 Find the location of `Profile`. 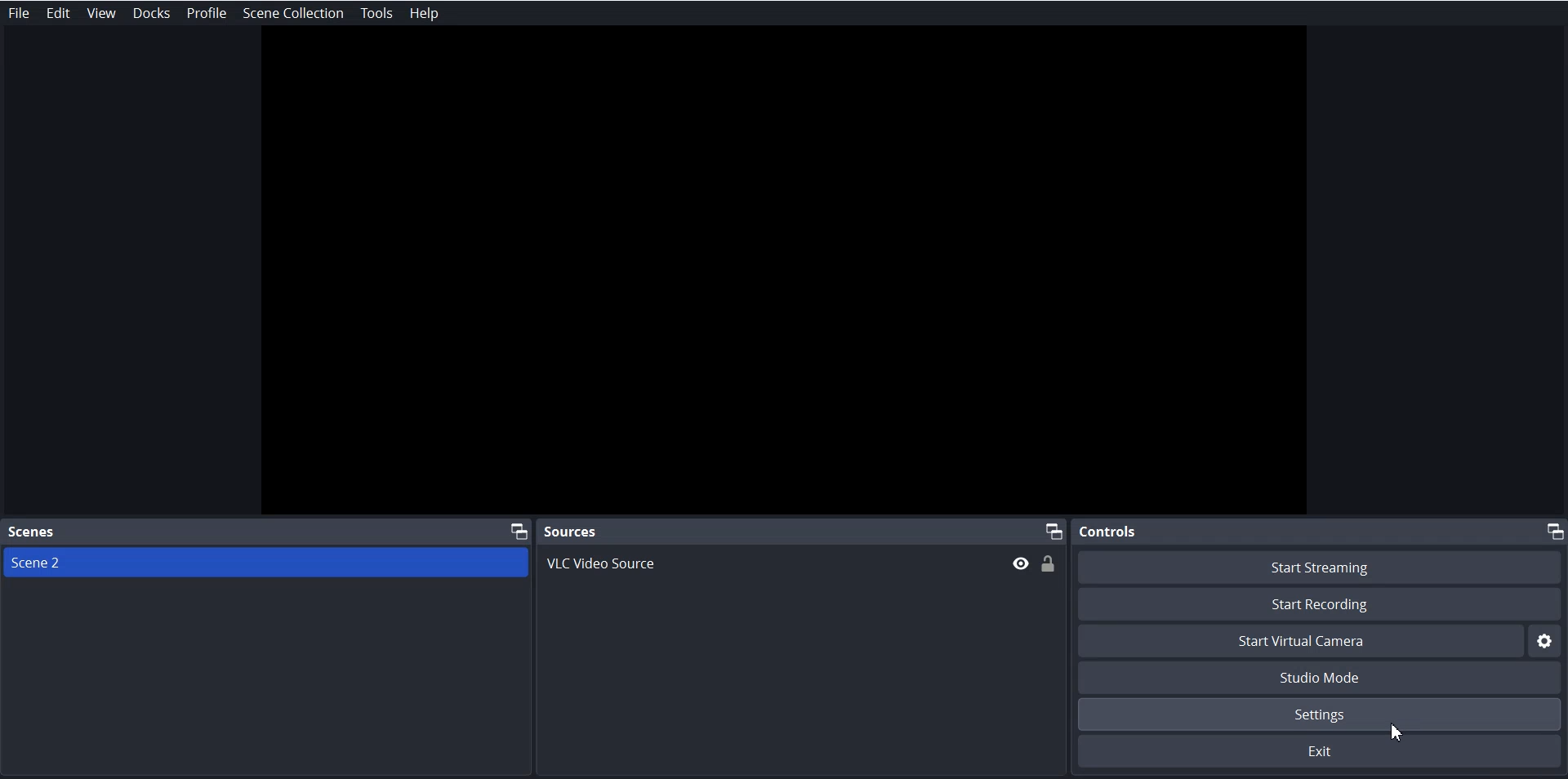

Profile is located at coordinates (207, 13).